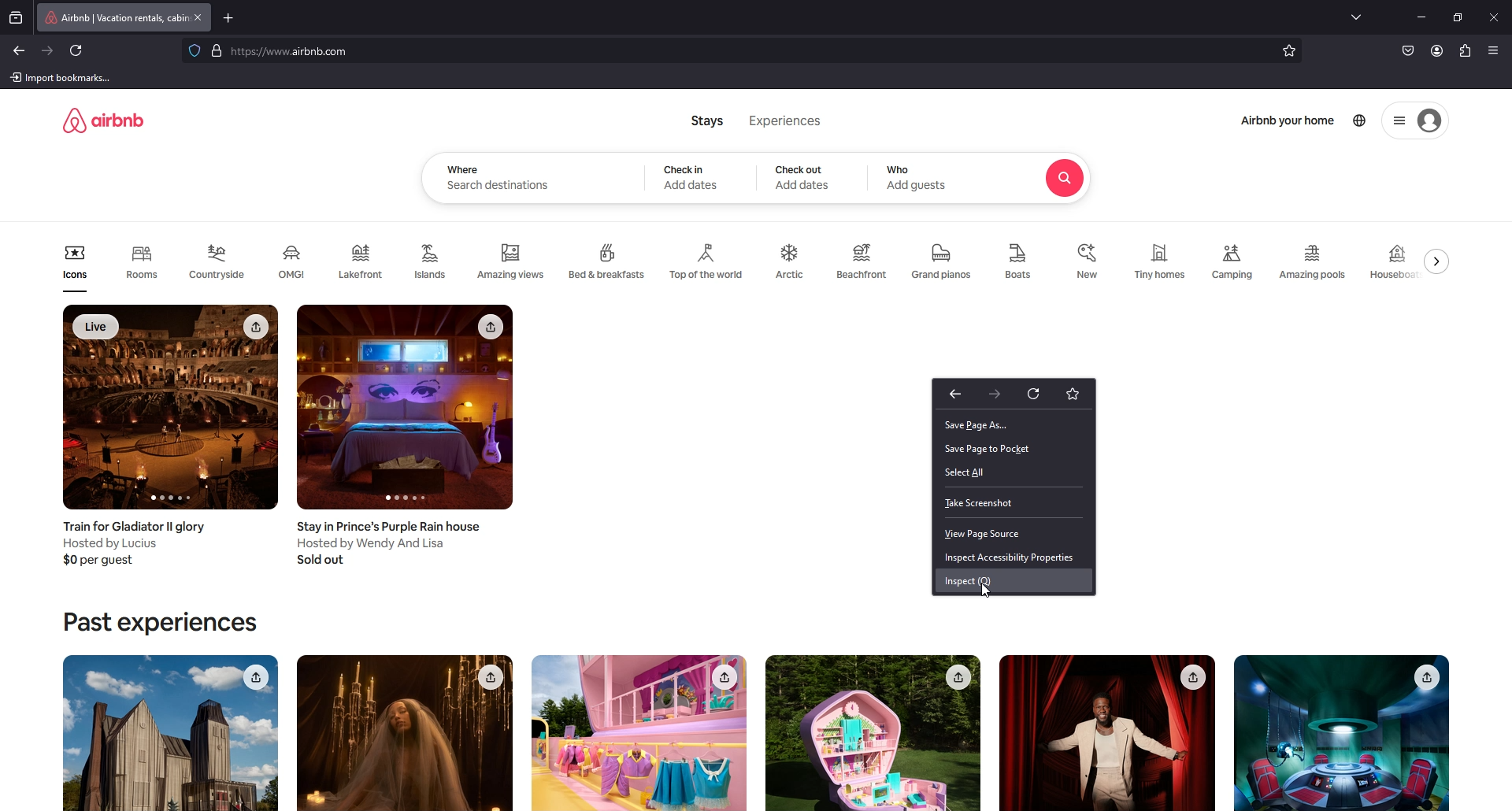 The height and width of the screenshot is (811, 1512). I want to click on Countryside , so click(220, 261).